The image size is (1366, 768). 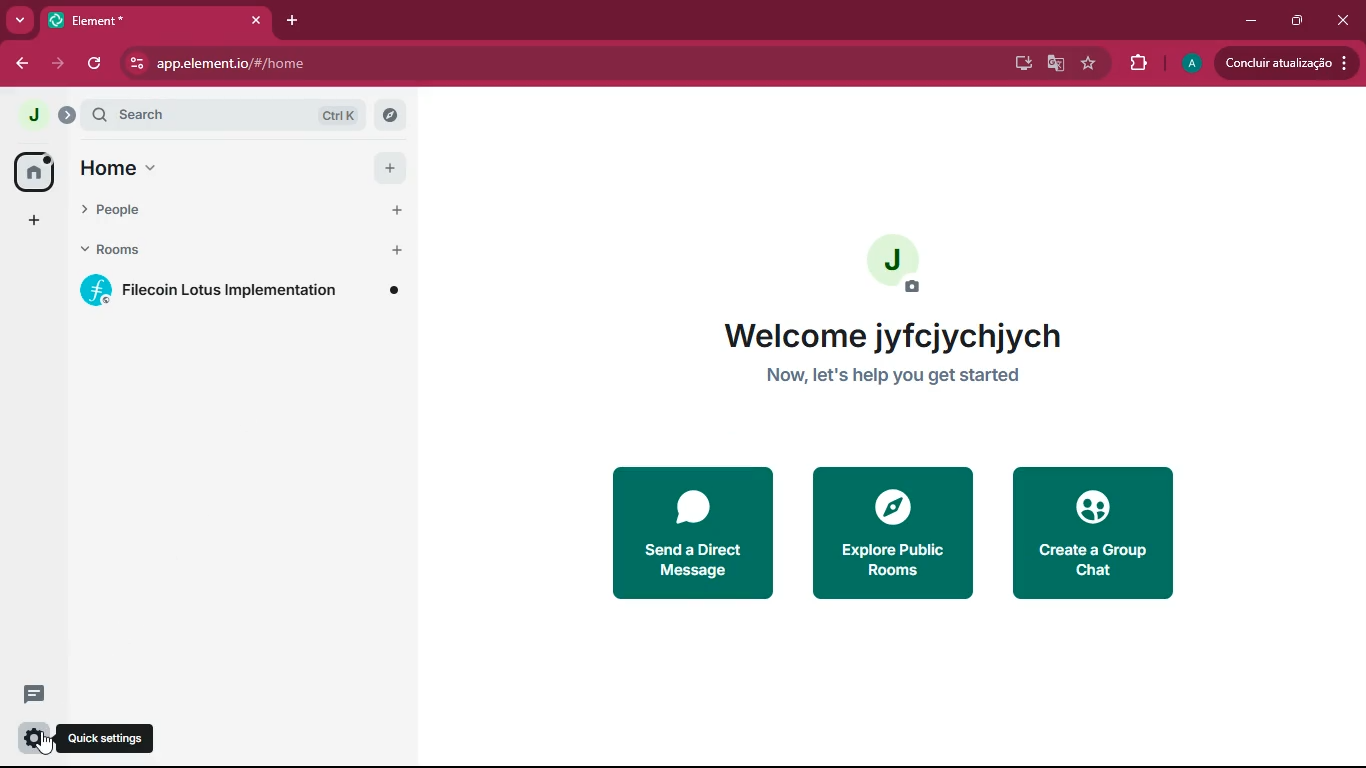 I want to click on desktop, so click(x=1017, y=64).